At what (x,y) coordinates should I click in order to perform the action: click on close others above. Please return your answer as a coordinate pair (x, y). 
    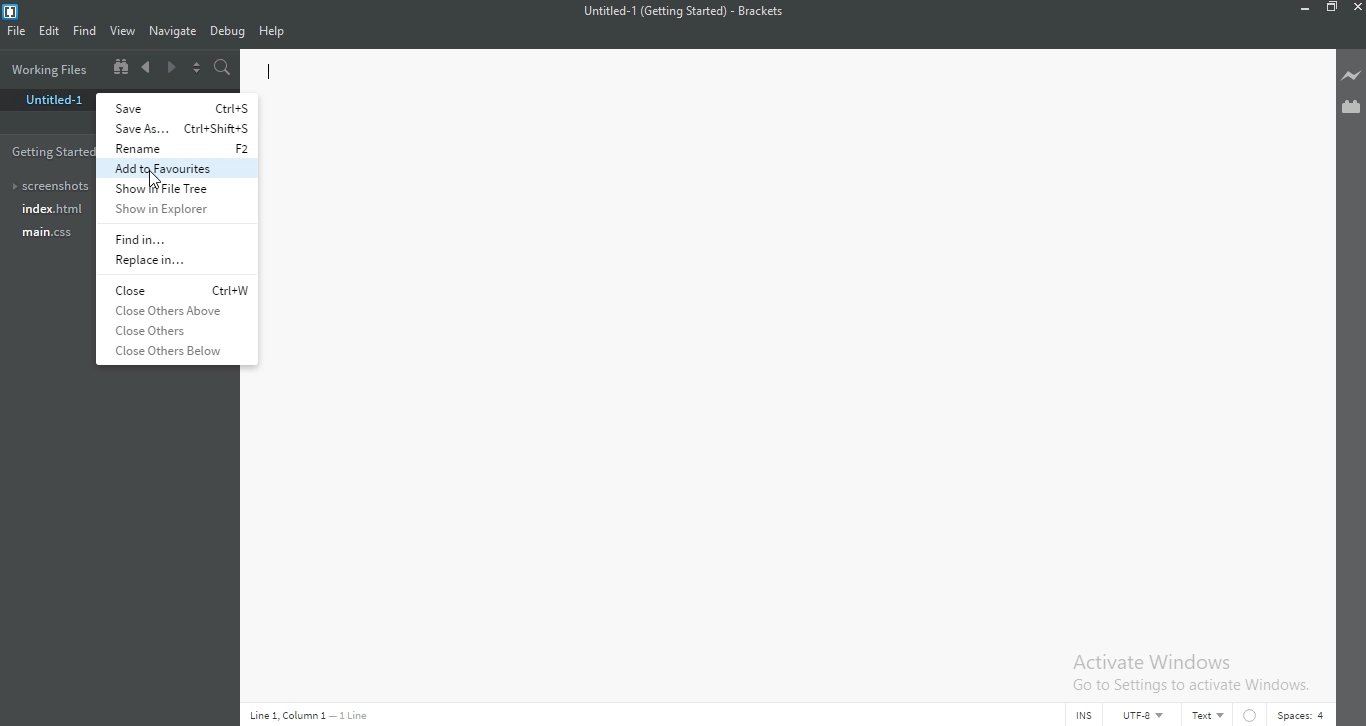
    Looking at the image, I should click on (179, 313).